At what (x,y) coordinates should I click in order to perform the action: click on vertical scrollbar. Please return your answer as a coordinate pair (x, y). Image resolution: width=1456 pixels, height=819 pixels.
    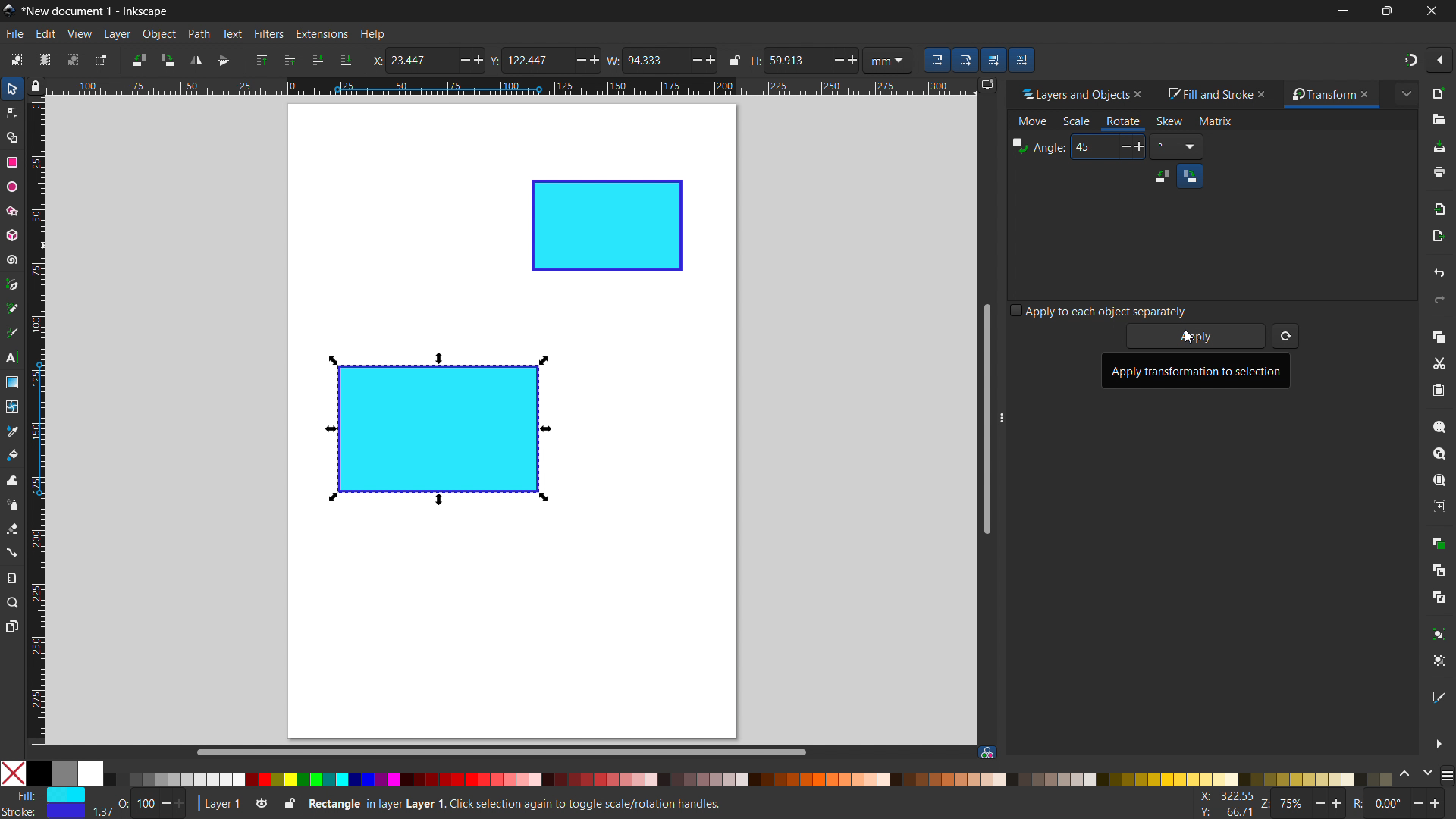
    Looking at the image, I should click on (985, 417).